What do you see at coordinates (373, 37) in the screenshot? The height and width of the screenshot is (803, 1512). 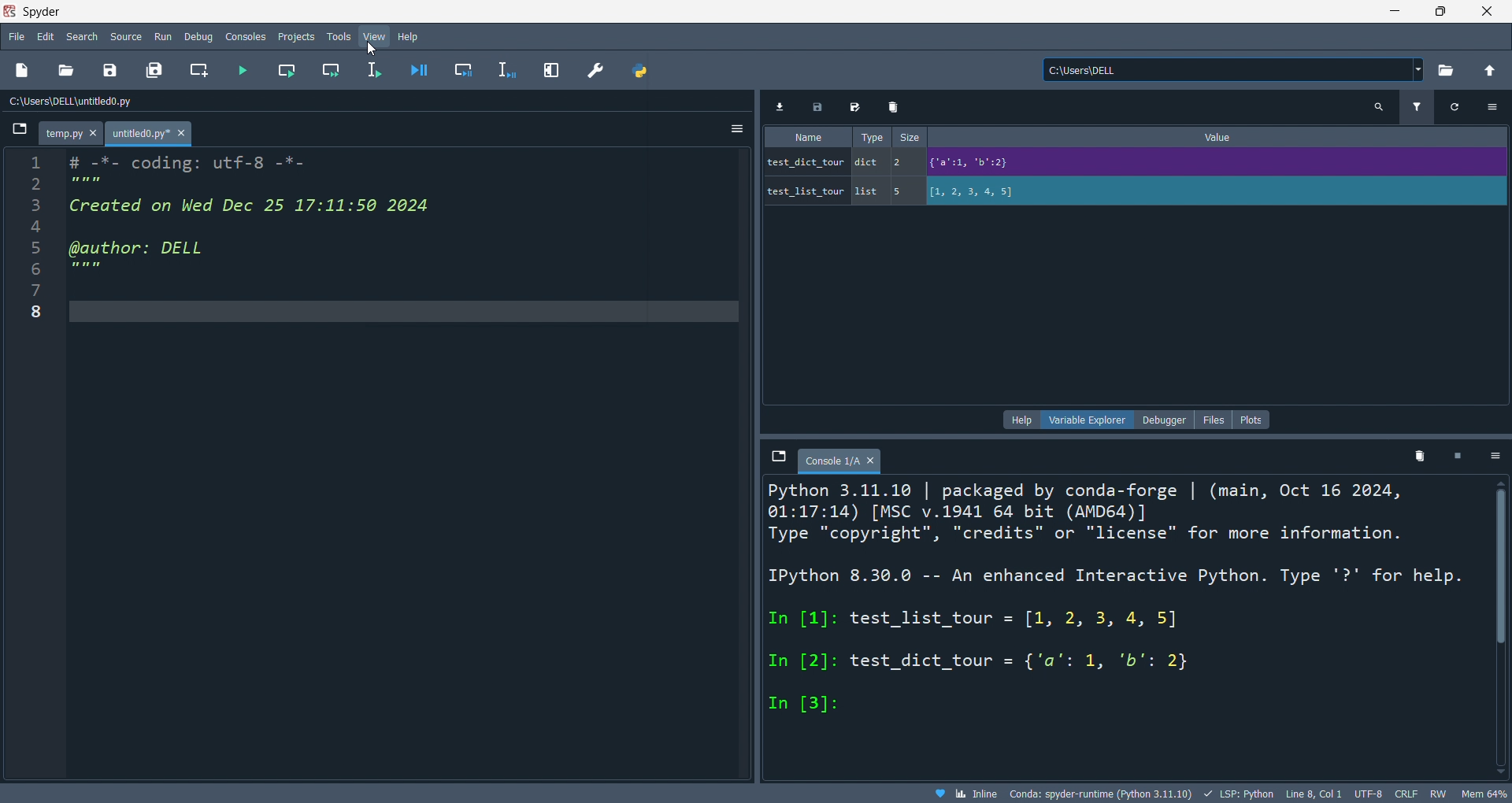 I see `view` at bounding box center [373, 37].